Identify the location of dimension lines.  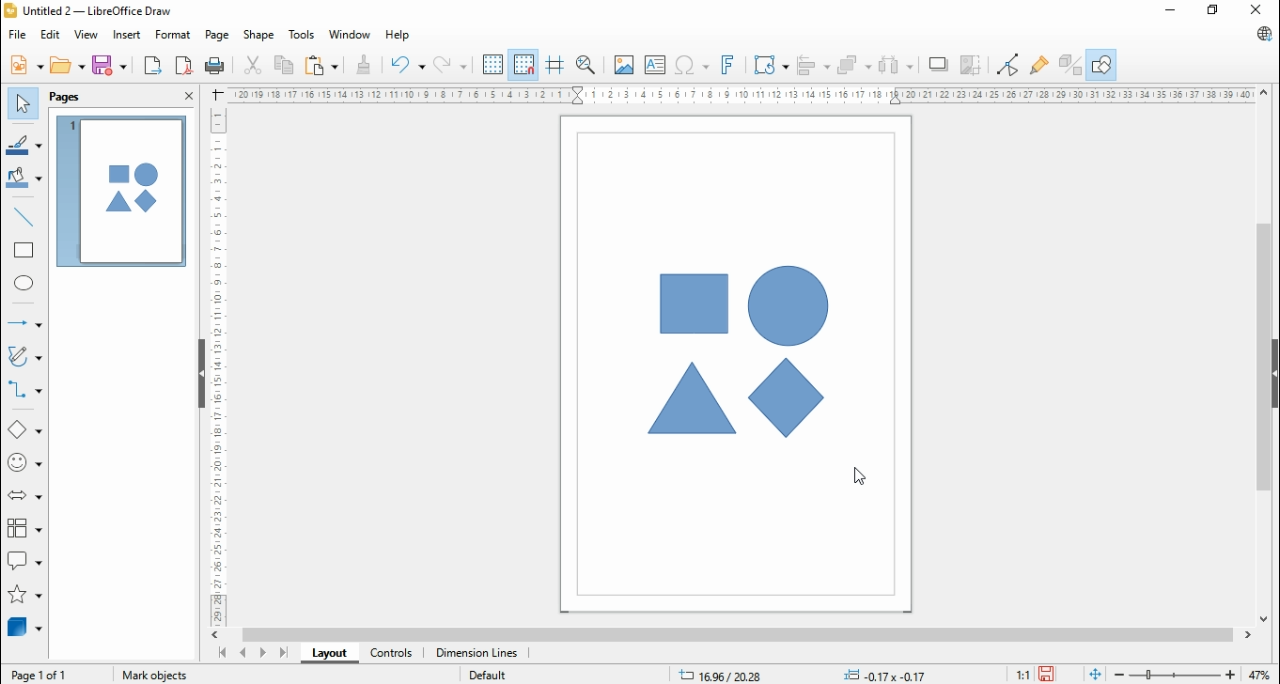
(476, 654).